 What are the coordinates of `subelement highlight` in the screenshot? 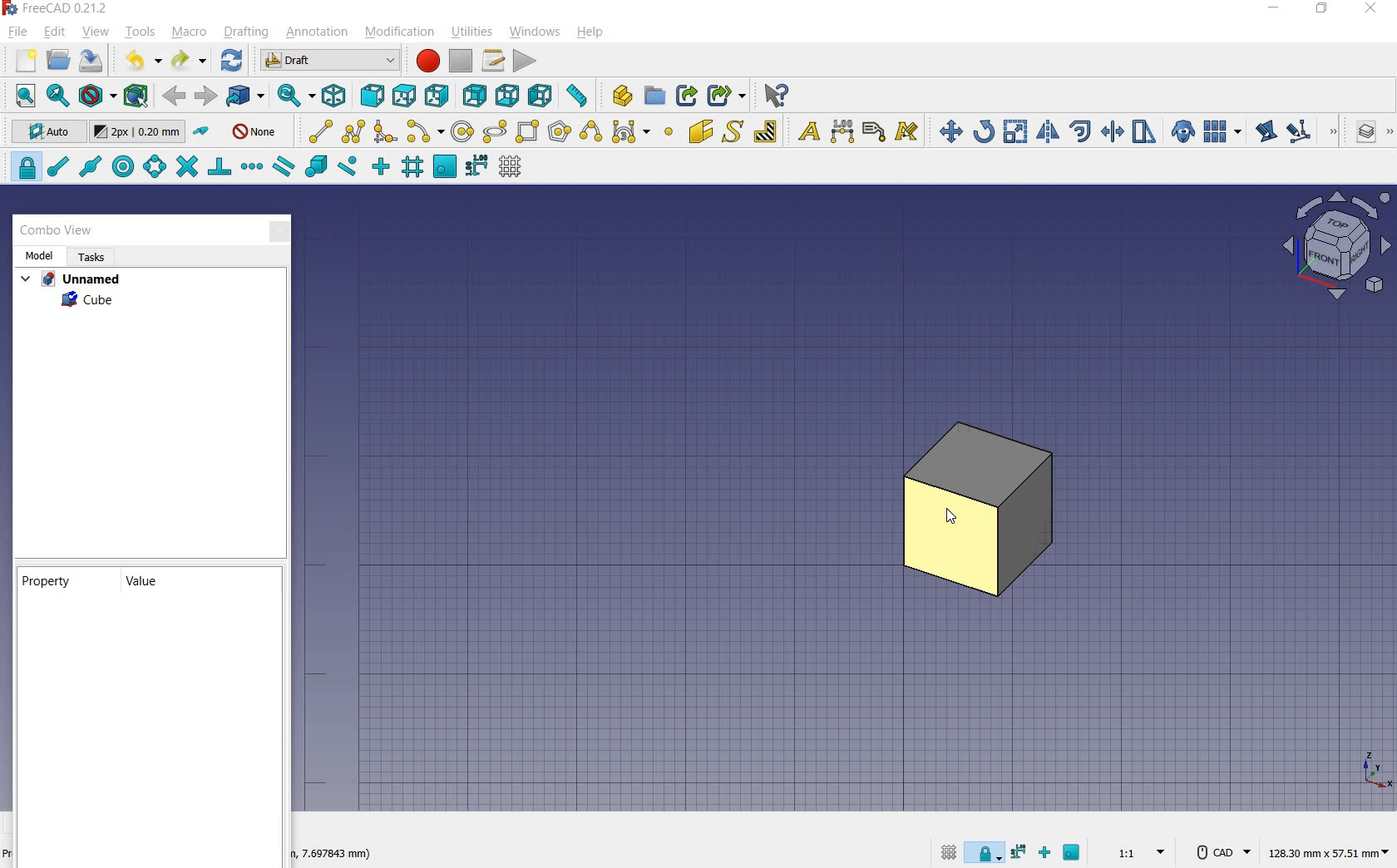 It's located at (1299, 133).